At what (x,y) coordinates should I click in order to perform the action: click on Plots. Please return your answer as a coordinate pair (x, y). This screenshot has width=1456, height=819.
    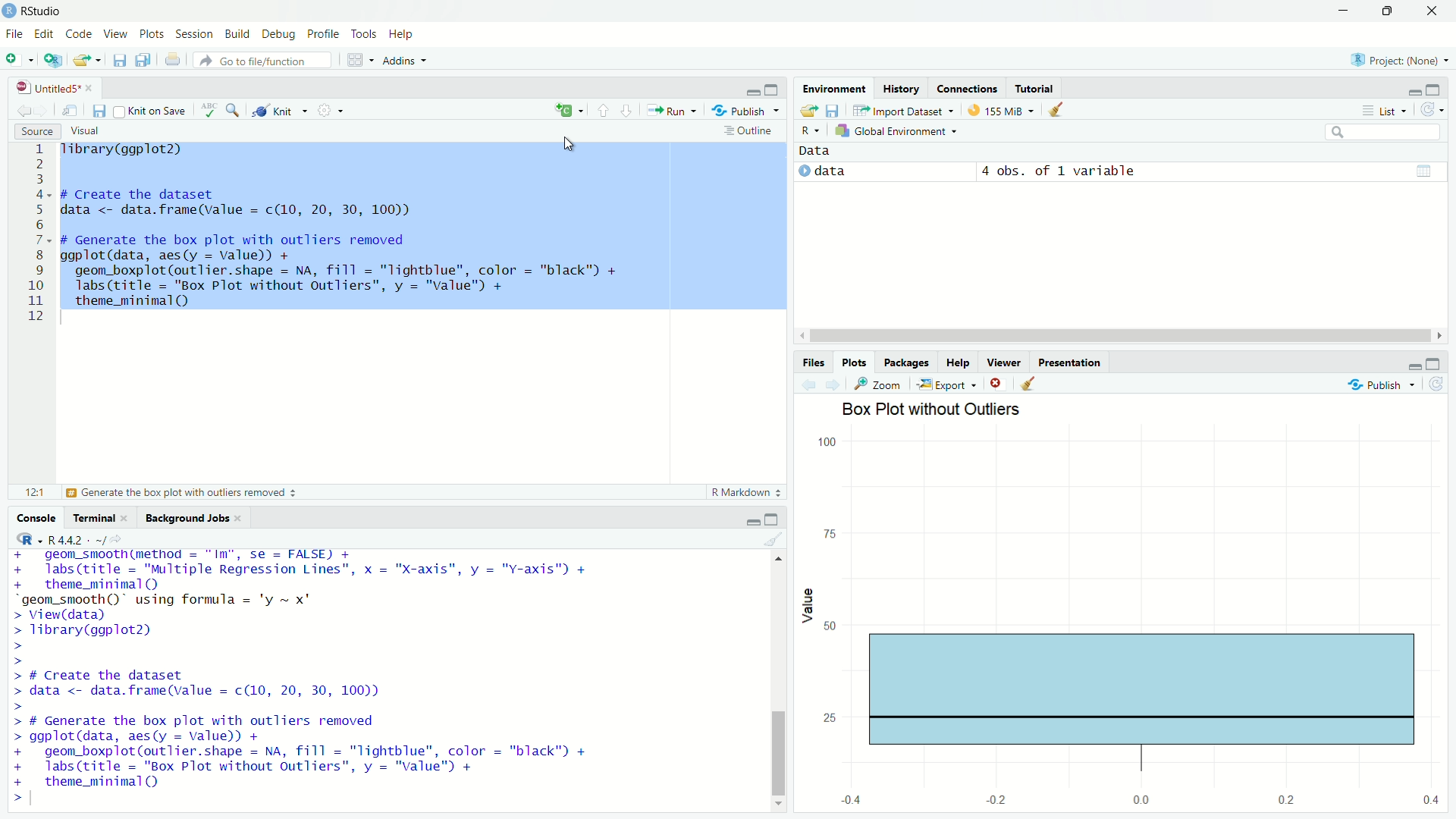
    Looking at the image, I should click on (849, 362).